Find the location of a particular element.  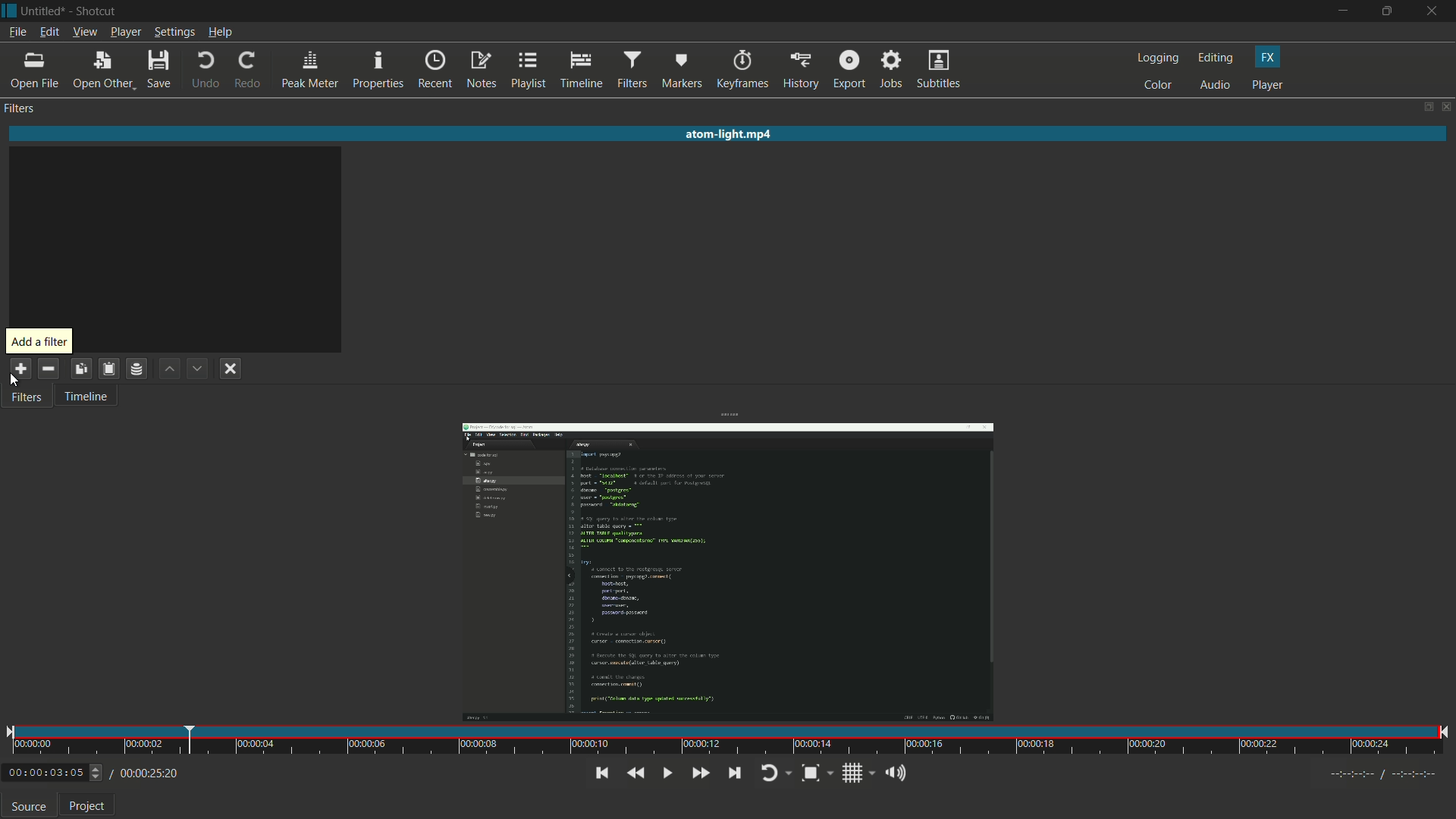

opened file is located at coordinates (724, 570).